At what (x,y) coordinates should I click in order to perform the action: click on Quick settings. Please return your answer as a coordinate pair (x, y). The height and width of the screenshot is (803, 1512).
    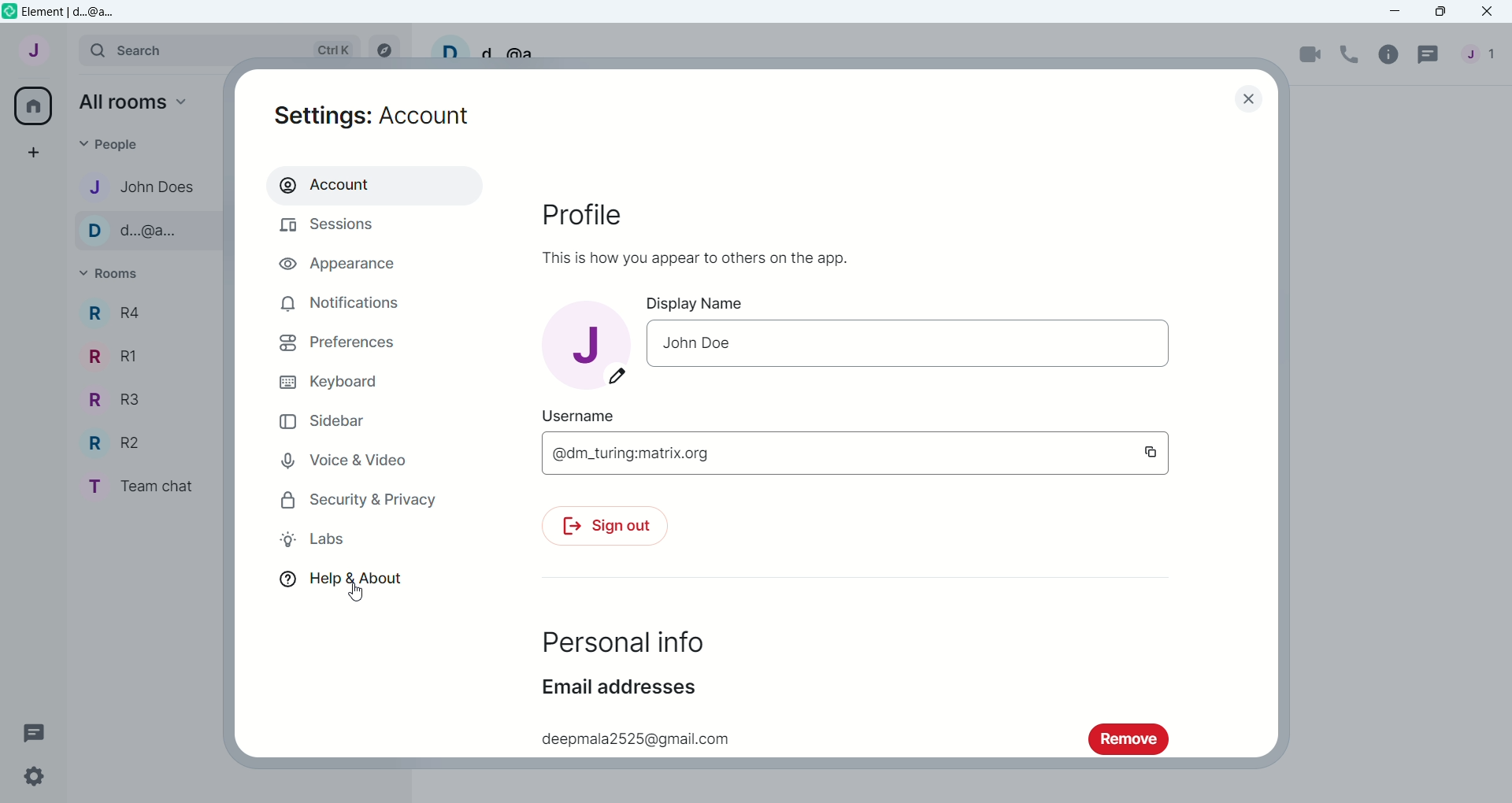
    Looking at the image, I should click on (43, 775).